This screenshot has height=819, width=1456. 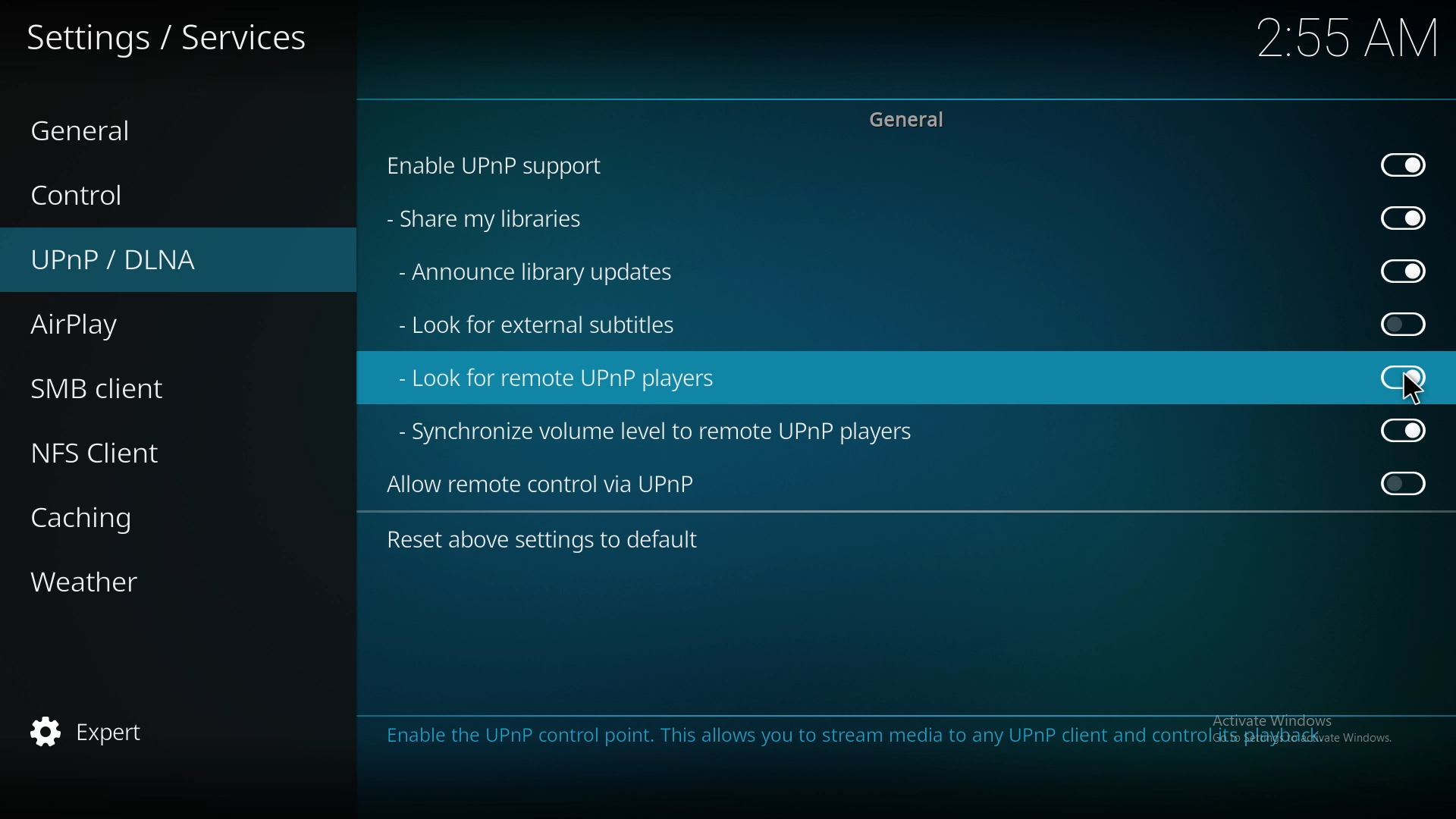 What do you see at coordinates (1404, 324) in the screenshot?
I see `off (Greyed out)` at bounding box center [1404, 324].